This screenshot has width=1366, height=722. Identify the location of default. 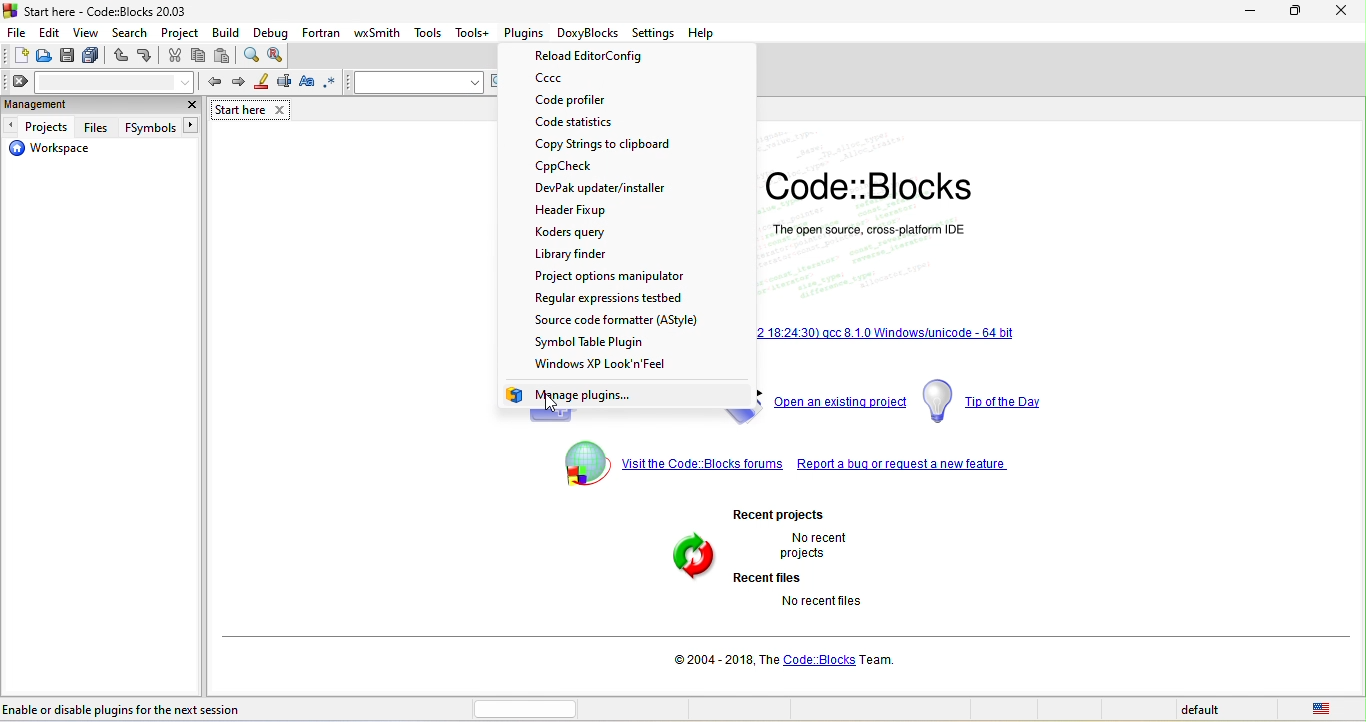
(1203, 711).